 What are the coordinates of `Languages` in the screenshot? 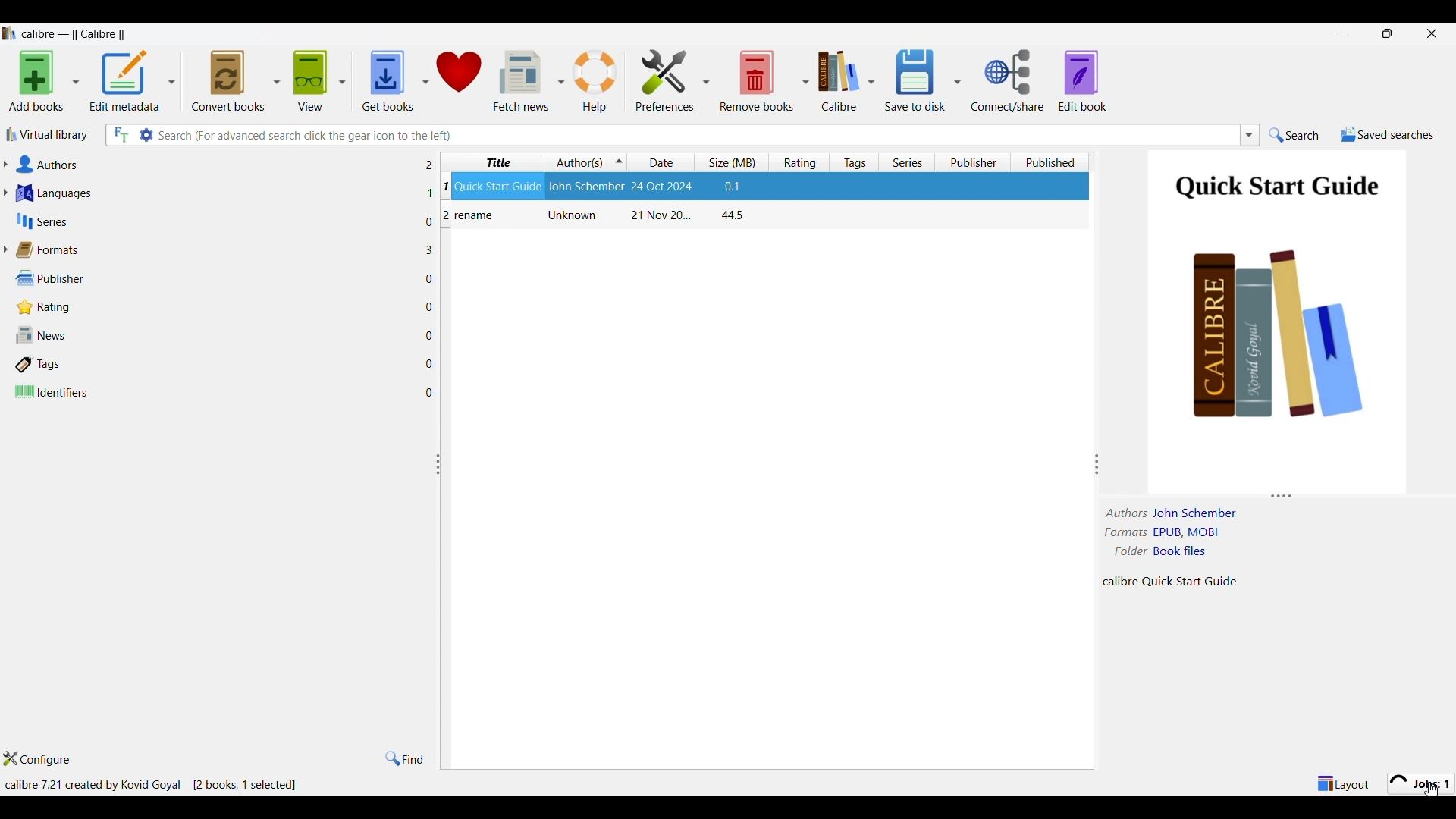 It's located at (214, 193).